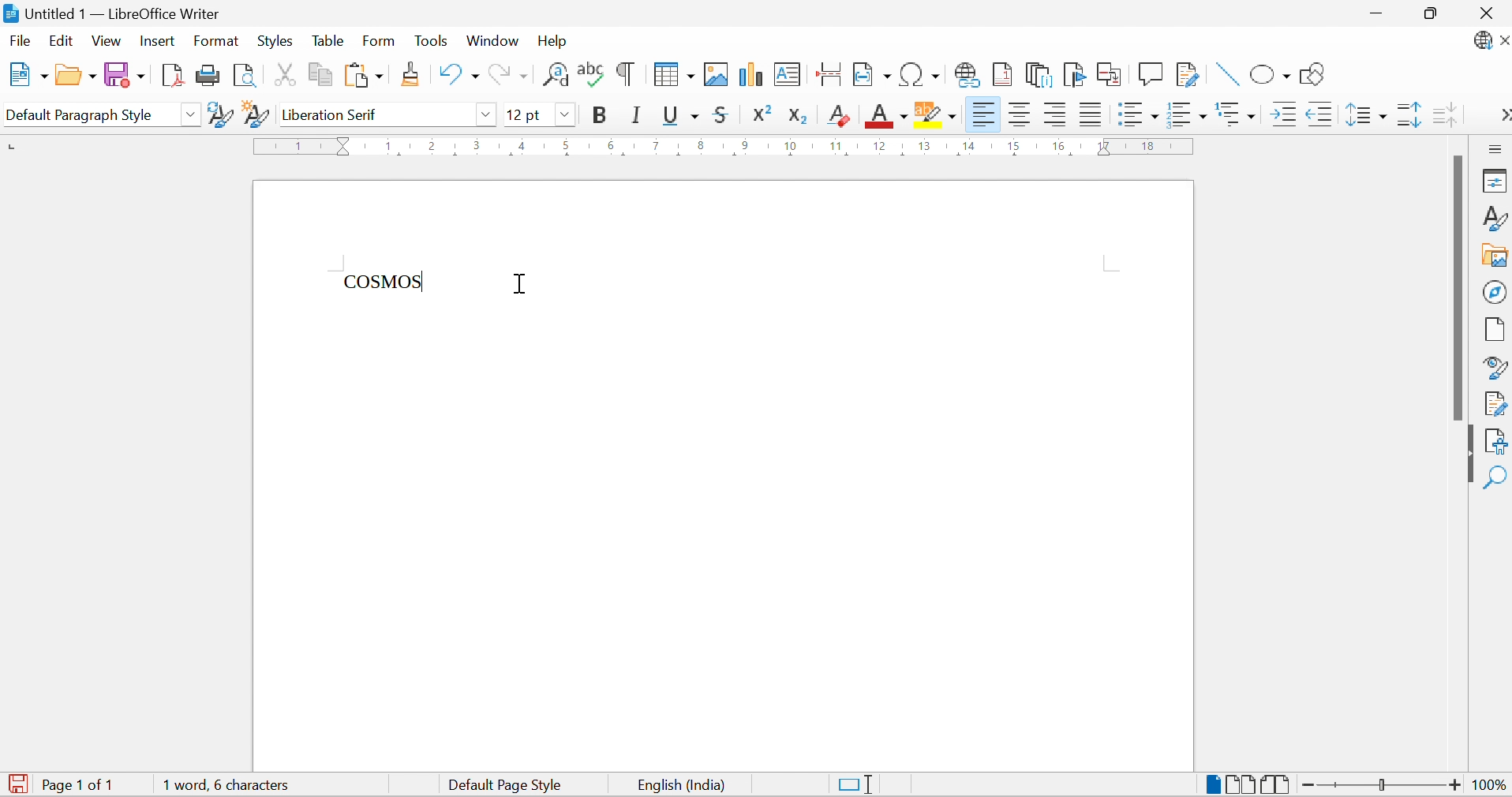 The height and width of the screenshot is (797, 1512). Describe the element at coordinates (389, 144) in the screenshot. I see `1` at that location.